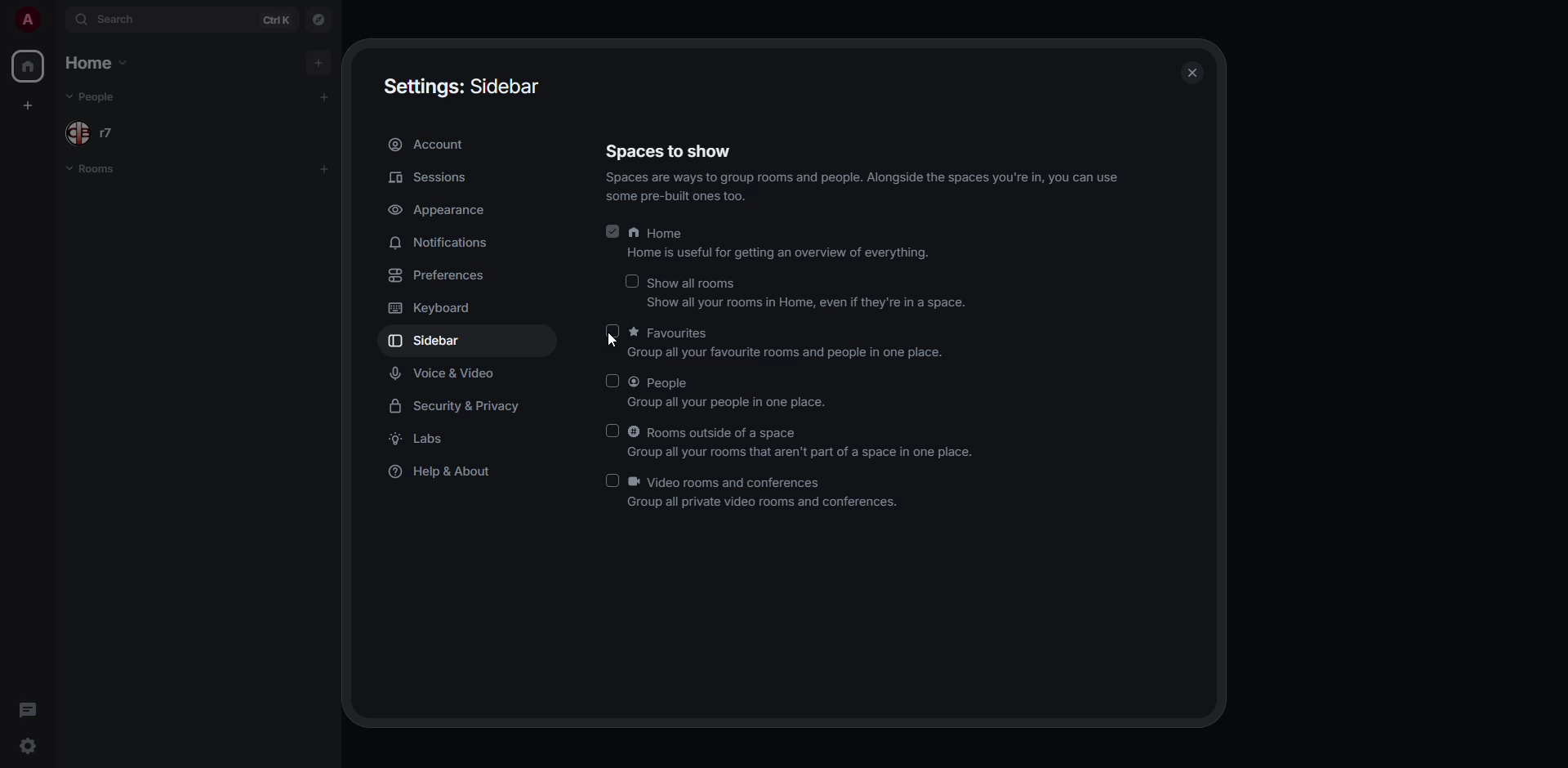 The image size is (1568, 768). Describe the element at coordinates (434, 309) in the screenshot. I see `keyboard` at that location.